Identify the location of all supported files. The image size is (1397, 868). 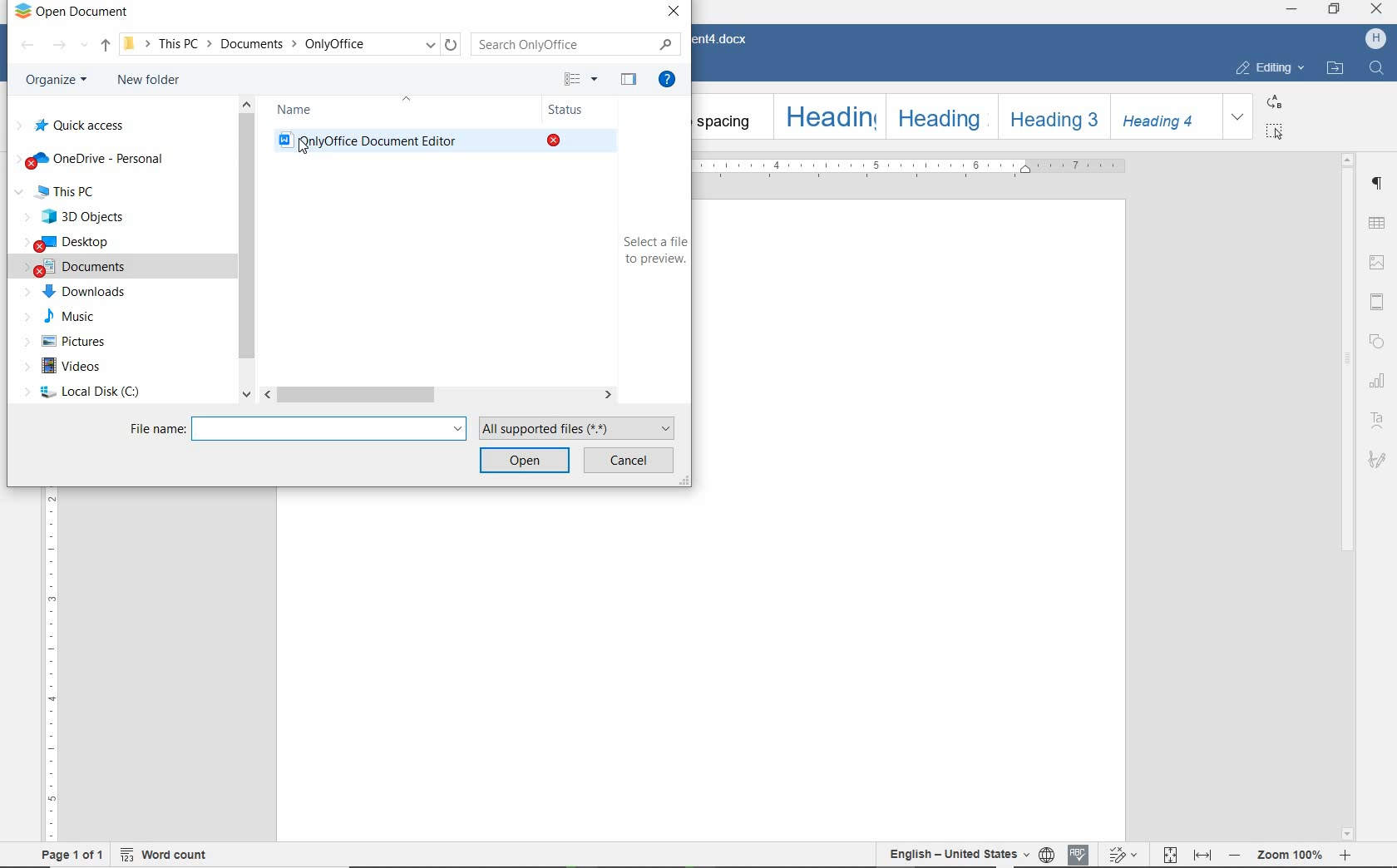
(582, 429).